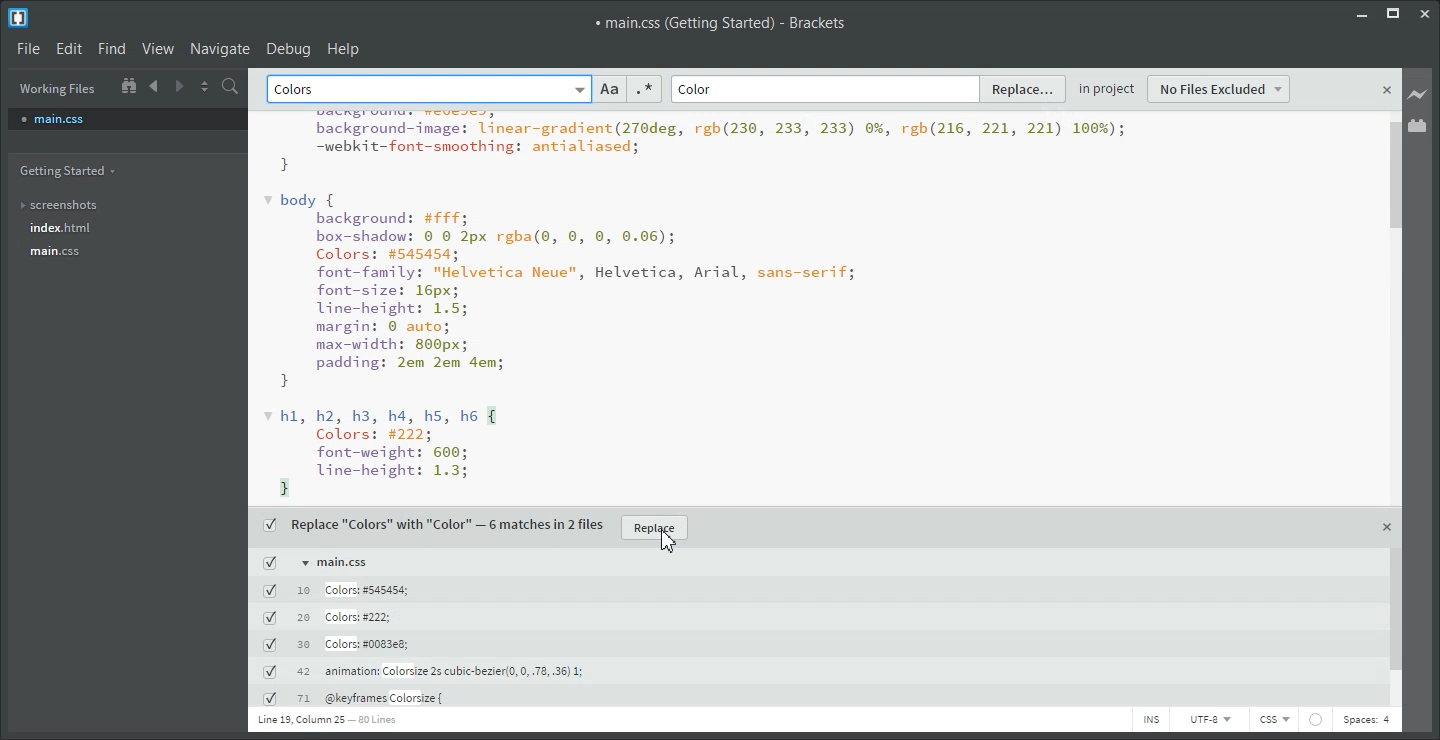  What do you see at coordinates (338, 590) in the screenshot?
I see `10 Colors: #545454;` at bounding box center [338, 590].